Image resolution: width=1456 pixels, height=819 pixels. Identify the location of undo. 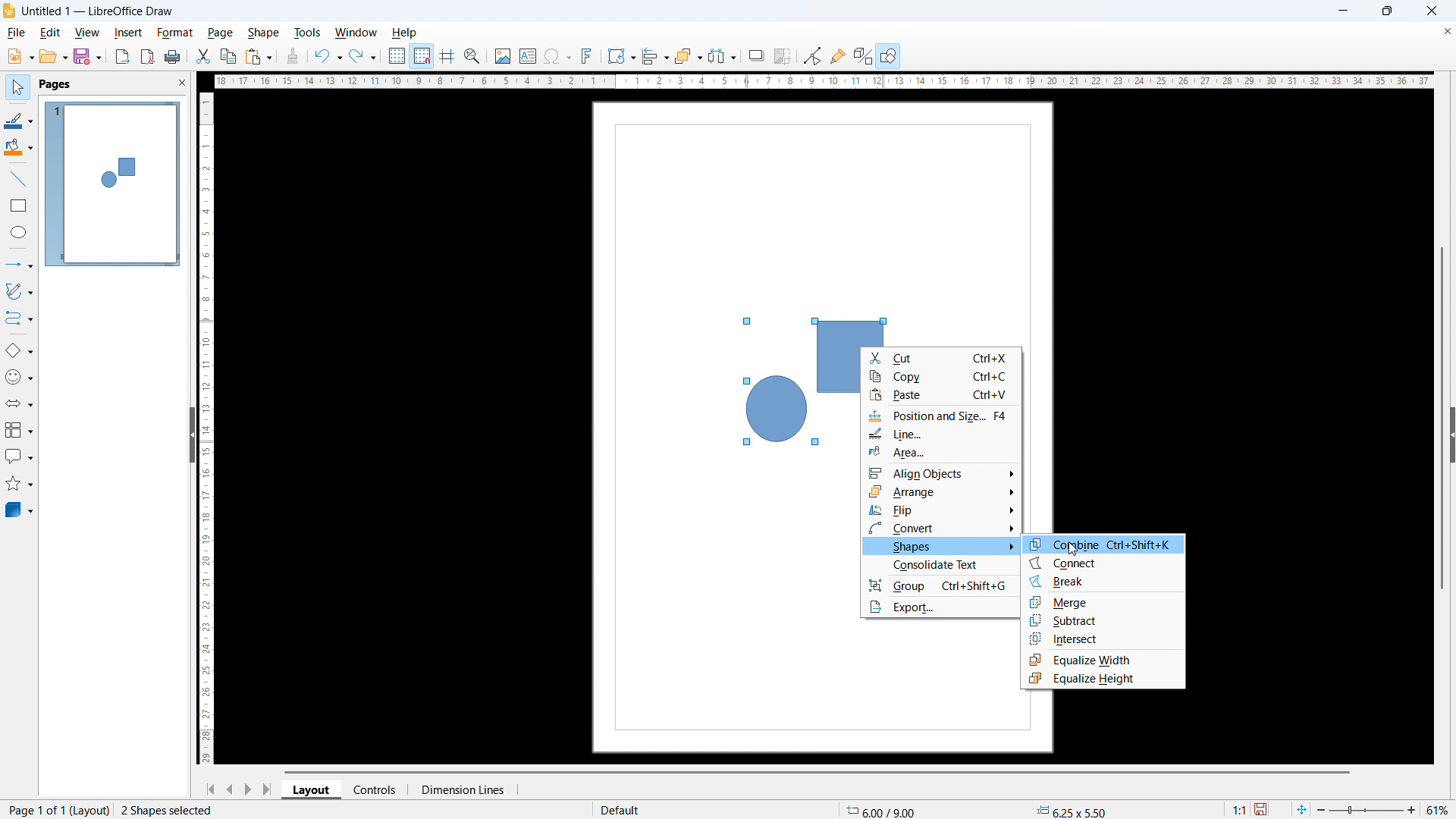
(328, 57).